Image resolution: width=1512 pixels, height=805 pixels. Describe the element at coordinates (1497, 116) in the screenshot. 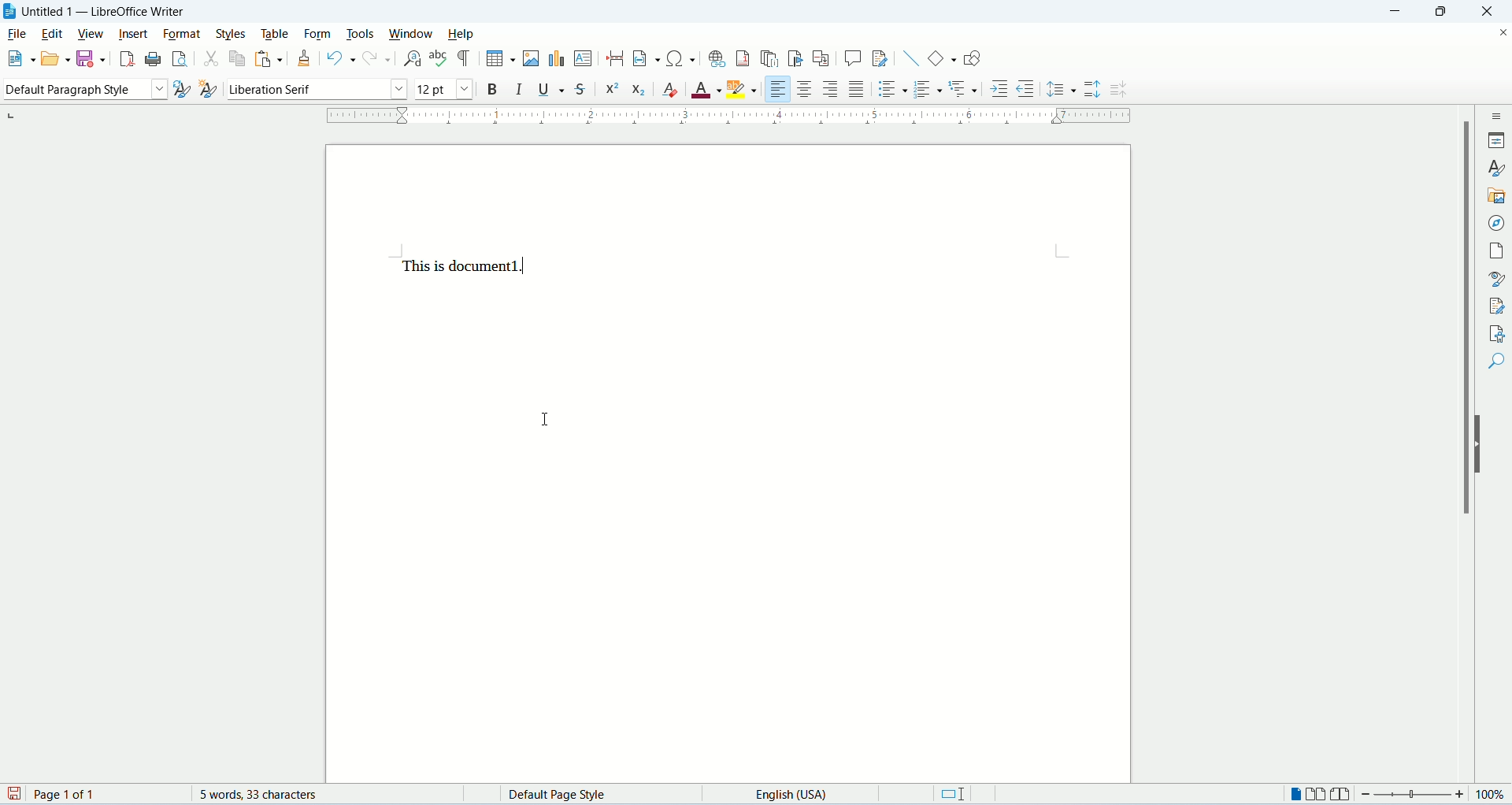

I see `sidebar settings` at that location.